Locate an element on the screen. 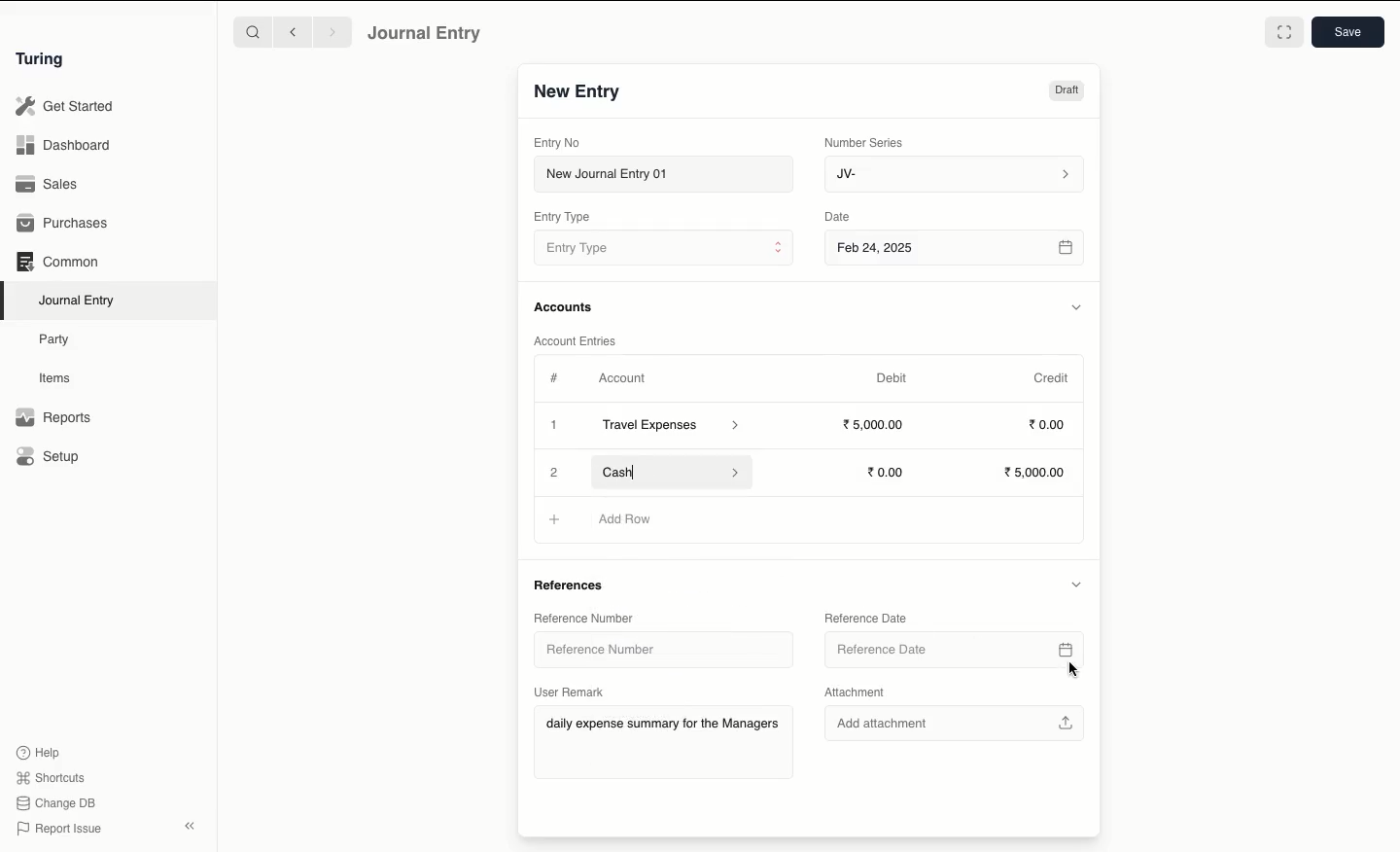 The width and height of the screenshot is (1400, 852). Items is located at coordinates (55, 377).